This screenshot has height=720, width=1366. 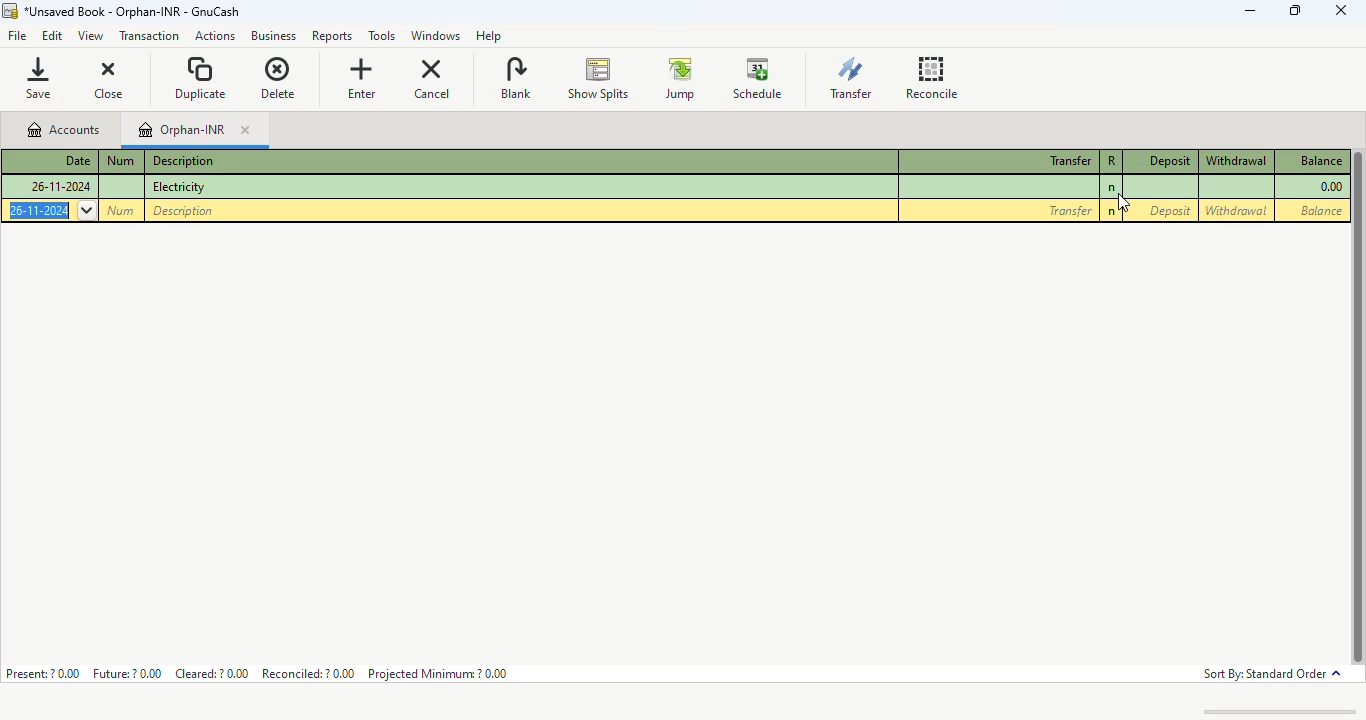 I want to click on balance, so click(x=1319, y=160).